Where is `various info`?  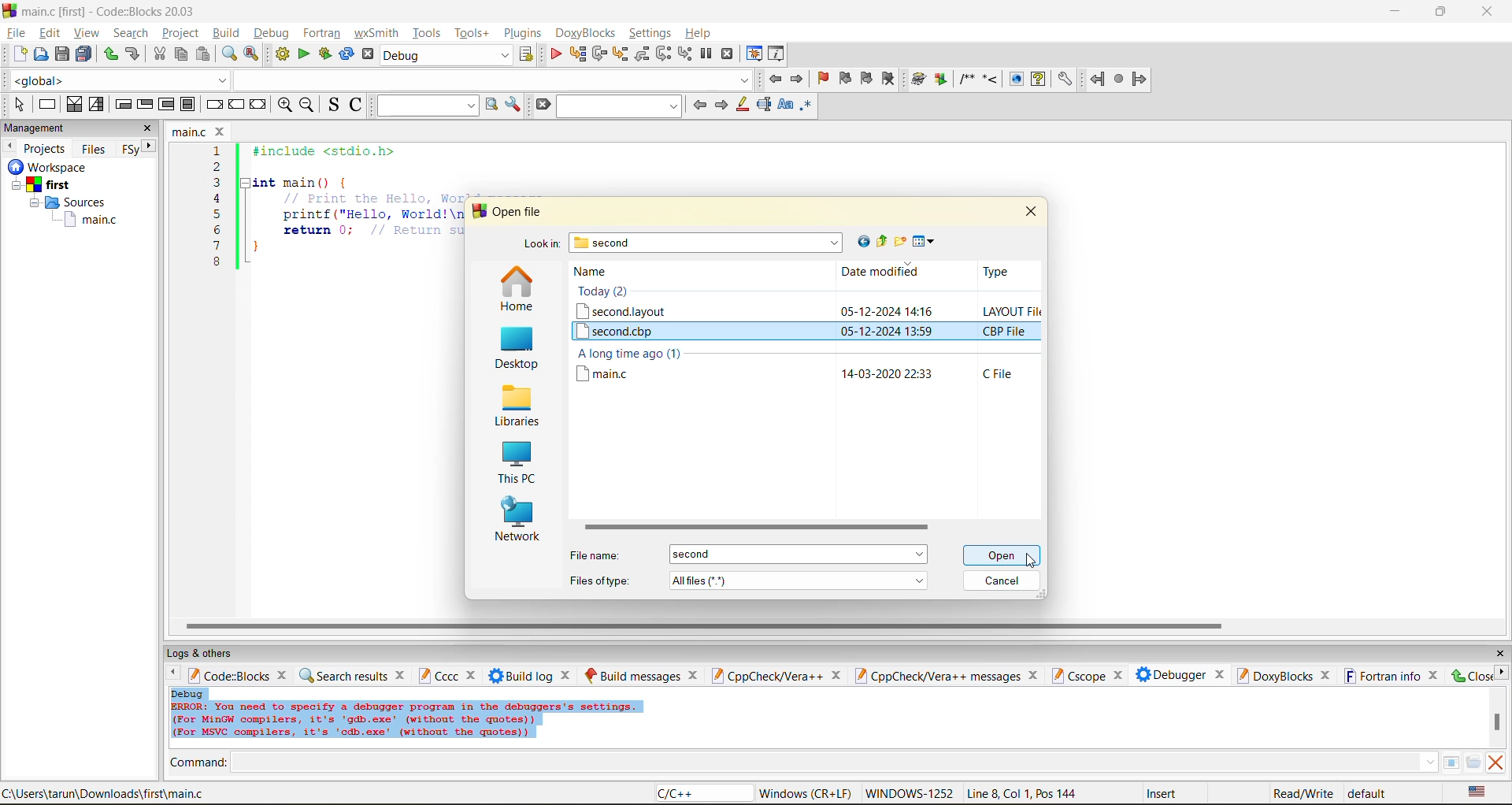 various info is located at coordinates (777, 54).